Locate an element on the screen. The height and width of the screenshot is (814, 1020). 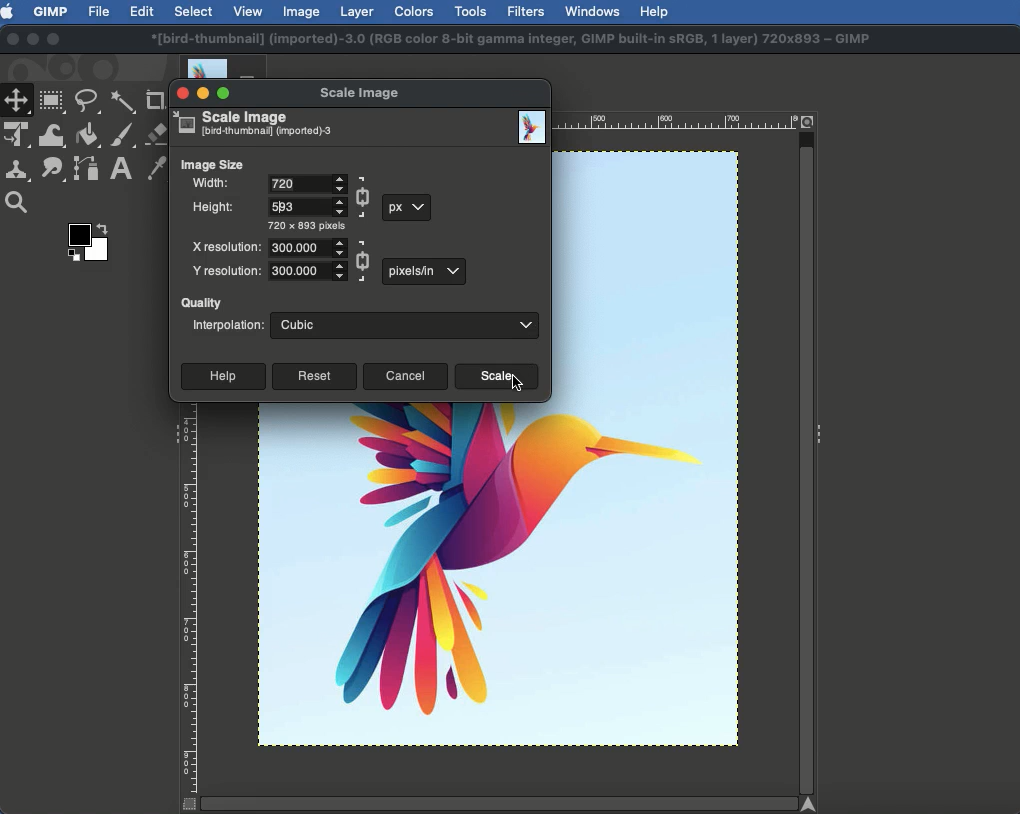
Y resolution is located at coordinates (228, 270).